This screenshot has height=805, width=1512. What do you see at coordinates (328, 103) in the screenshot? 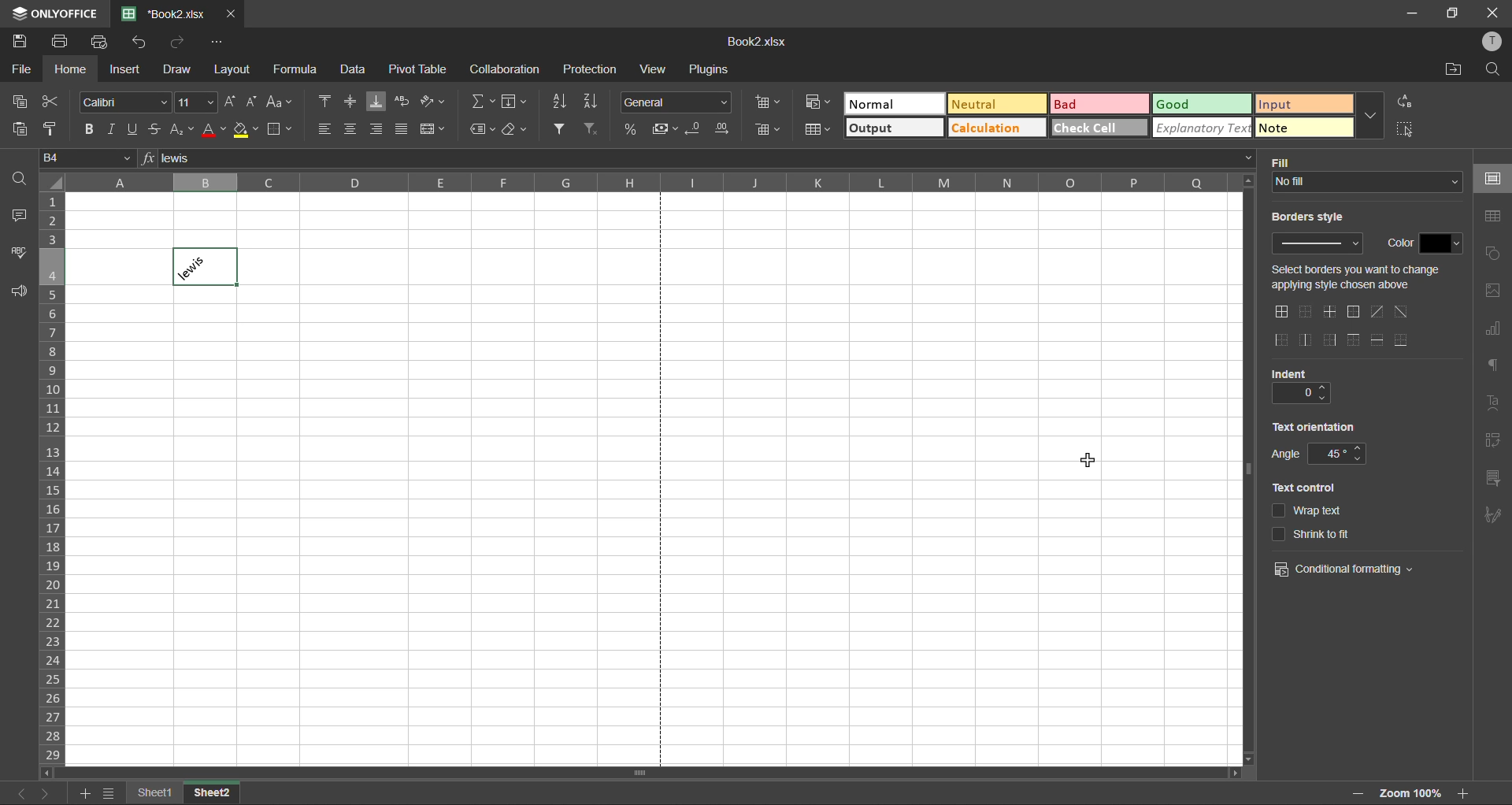
I see `align top` at bounding box center [328, 103].